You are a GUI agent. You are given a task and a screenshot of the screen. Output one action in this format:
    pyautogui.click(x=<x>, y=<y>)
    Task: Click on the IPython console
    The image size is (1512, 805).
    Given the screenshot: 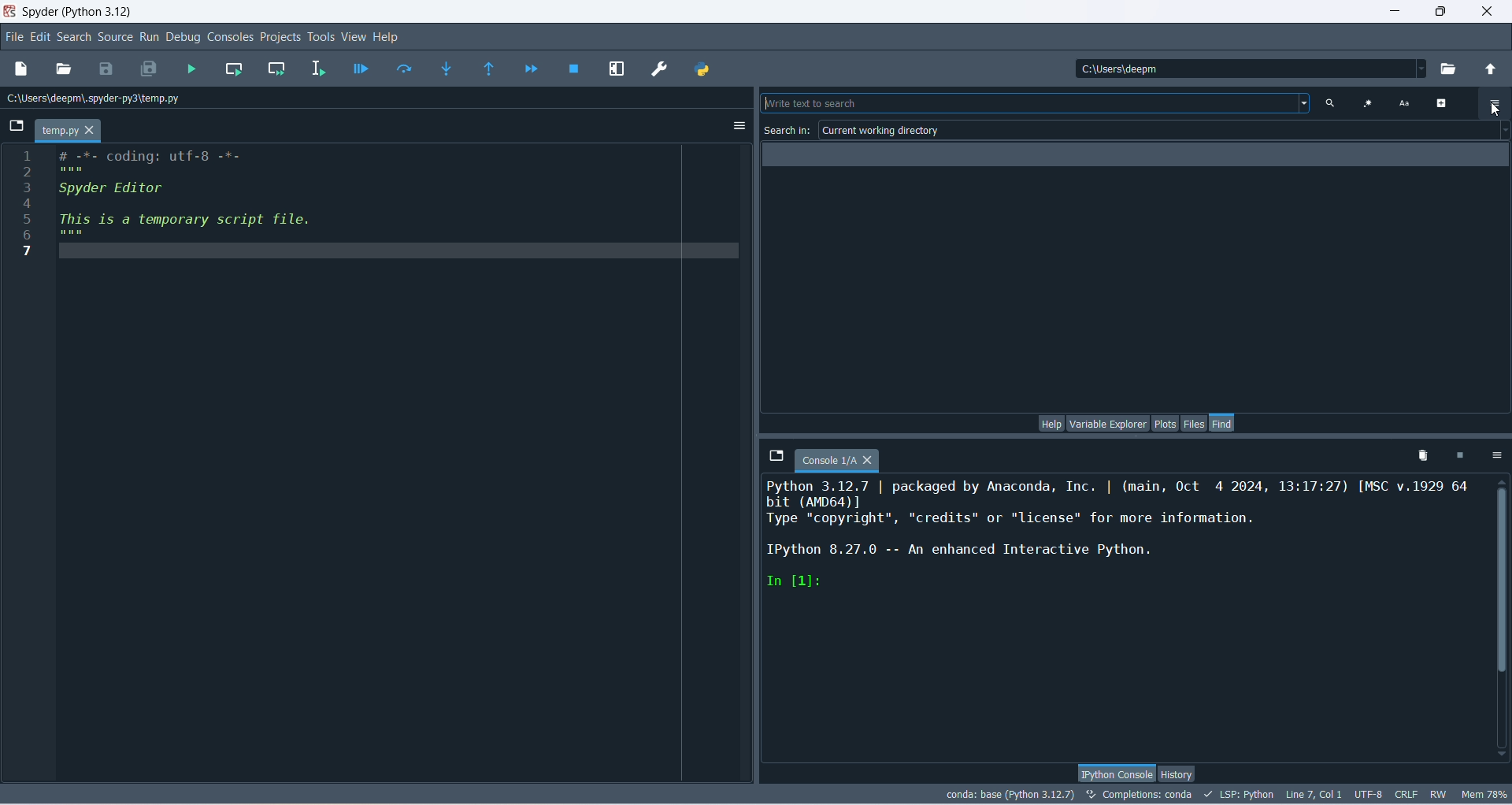 What is the action you would take?
    pyautogui.click(x=1116, y=772)
    